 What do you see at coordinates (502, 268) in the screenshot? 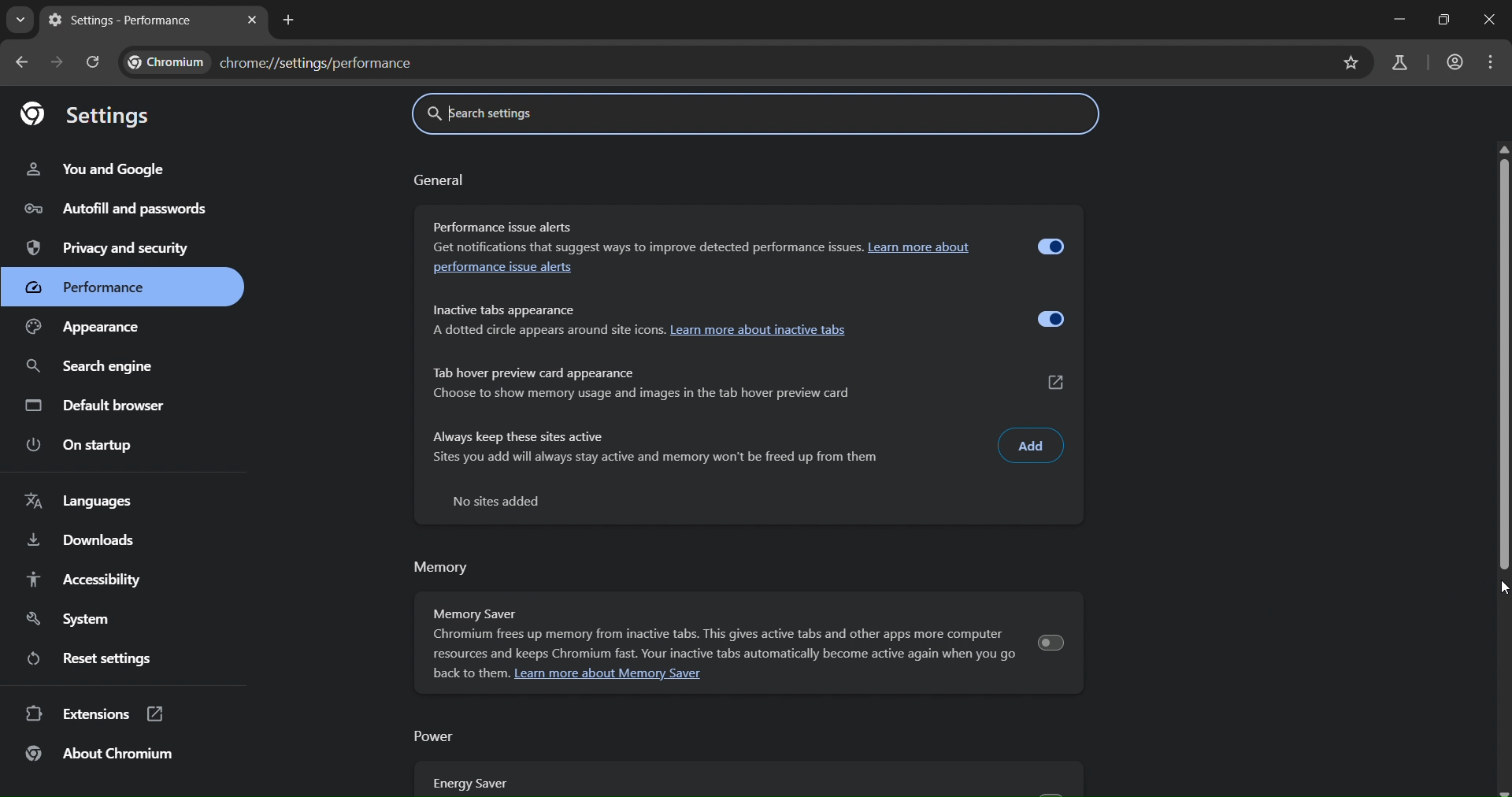
I see `performance issue alerts` at bounding box center [502, 268].